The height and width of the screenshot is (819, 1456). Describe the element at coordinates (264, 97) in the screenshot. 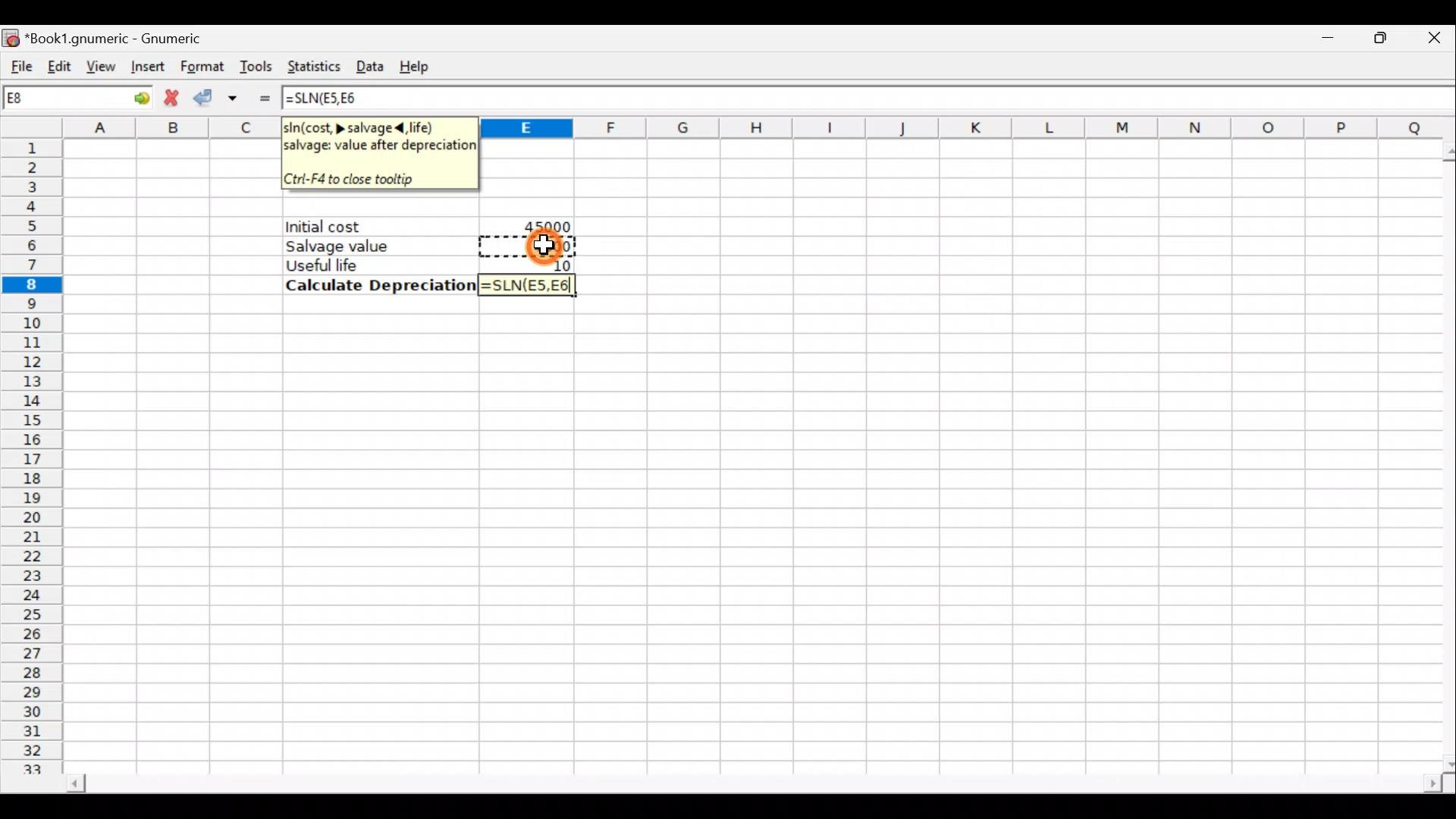

I see `Enter formula` at that location.